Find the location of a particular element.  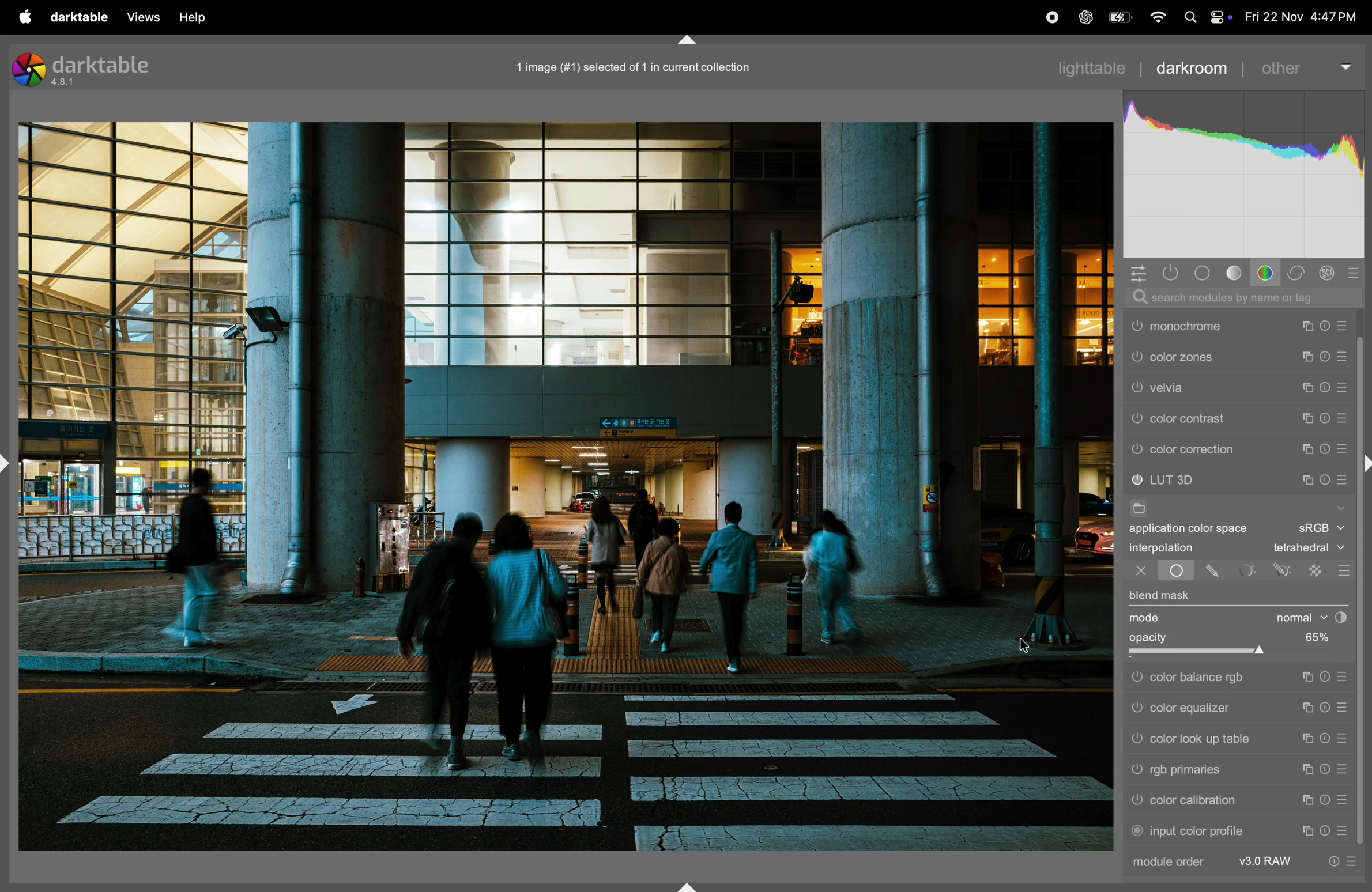

presets is located at coordinates (1341, 800).